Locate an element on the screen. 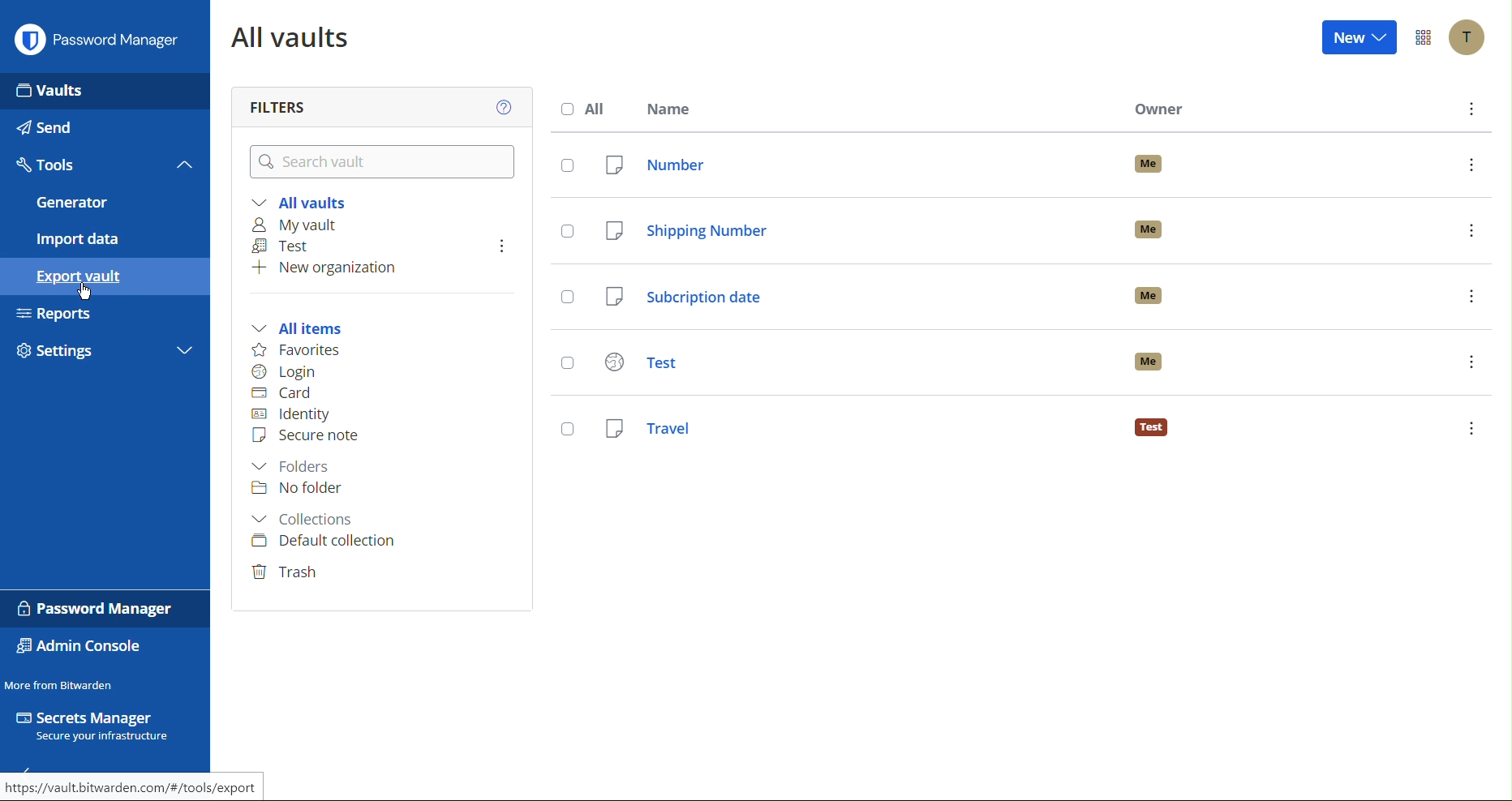  Trash is located at coordinates (287, 574).